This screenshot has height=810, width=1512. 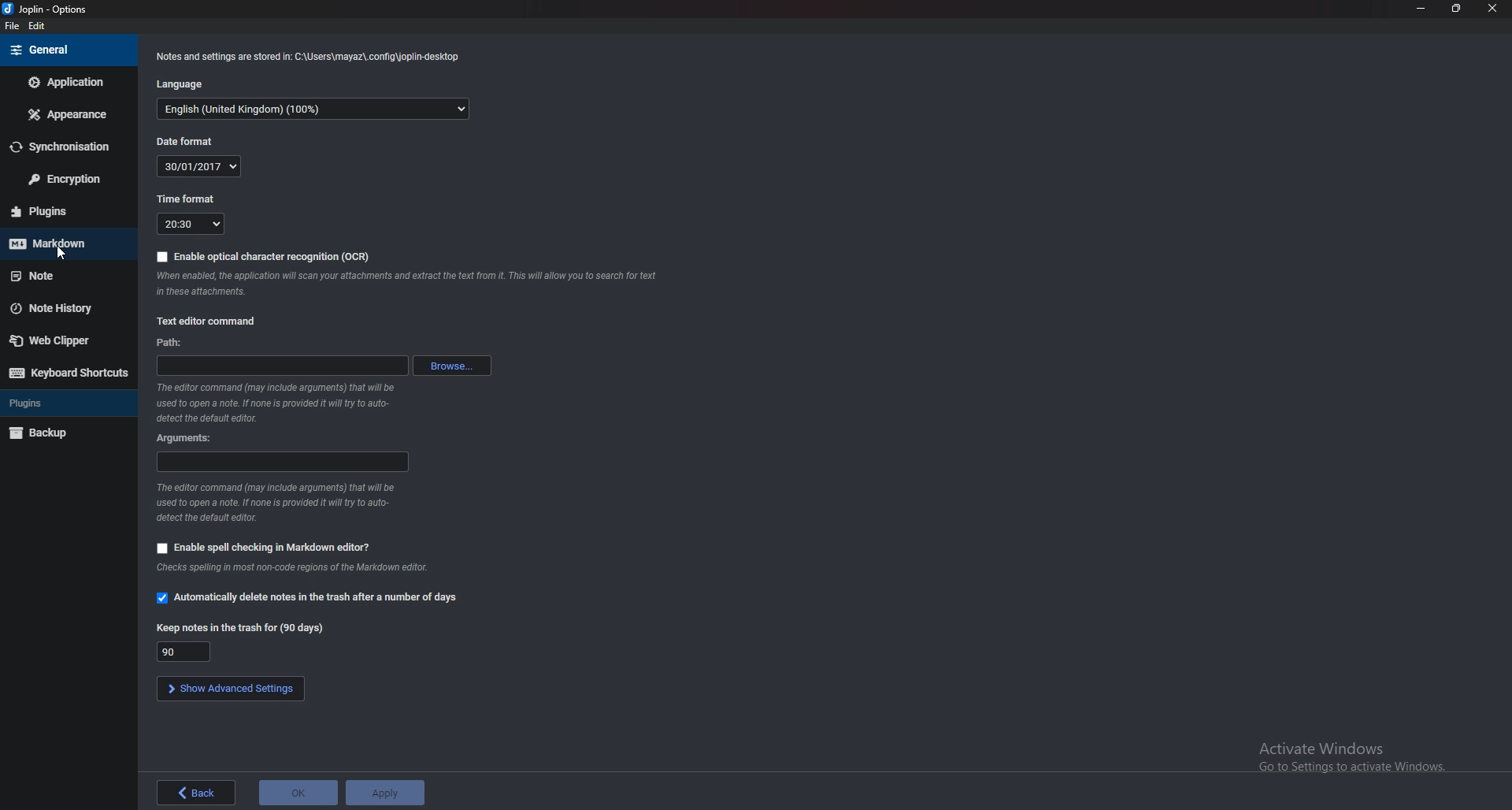 What do you see at coordinates (1351, 758) in the screenshot?
I see `Activate Windows
Go to Settings to activate Windows.` at bounding box center [1351, 758].